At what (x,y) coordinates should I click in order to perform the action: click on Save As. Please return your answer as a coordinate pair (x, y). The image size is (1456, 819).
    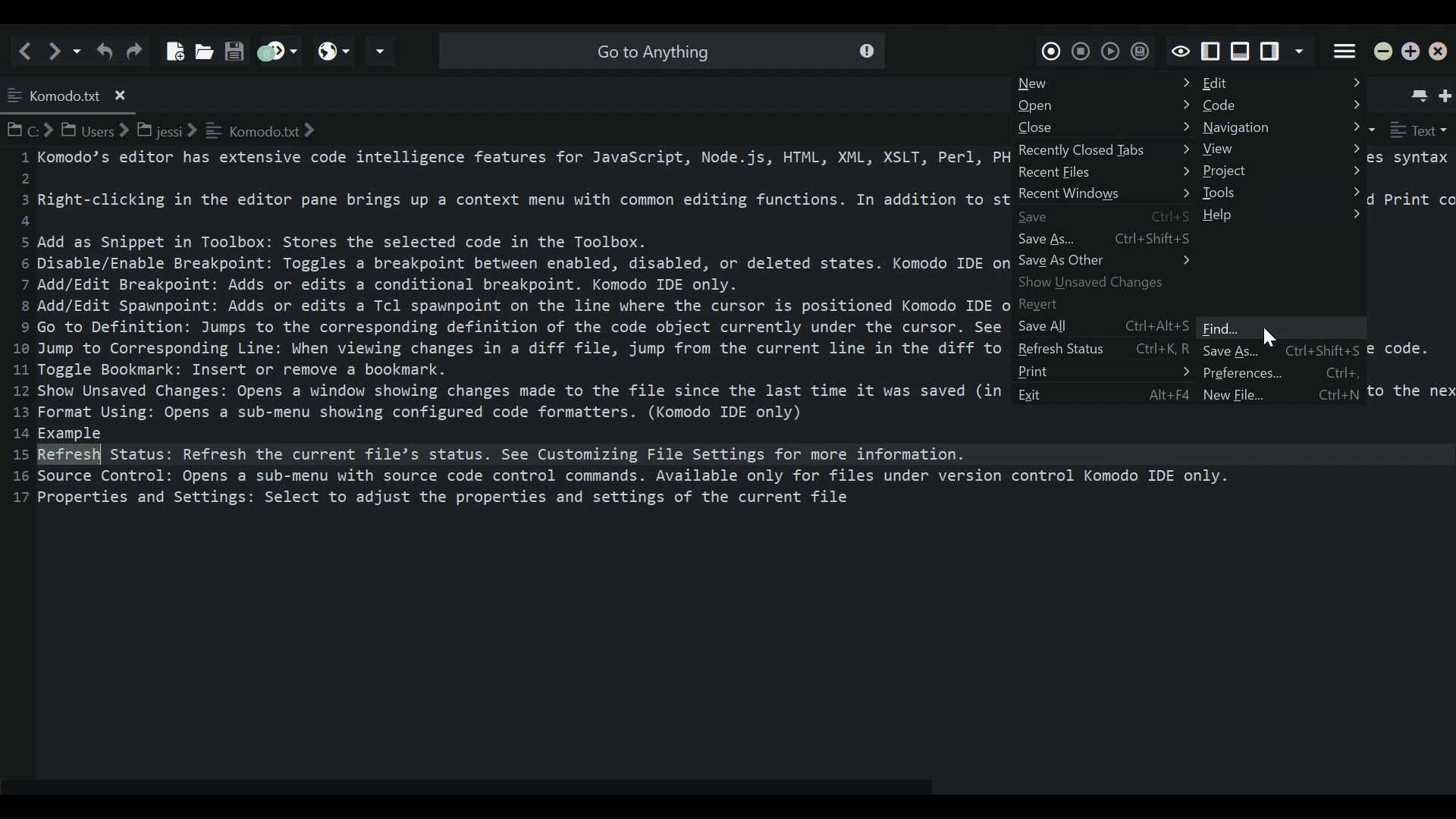
    Looking at the image, I should click on (1106, 238).